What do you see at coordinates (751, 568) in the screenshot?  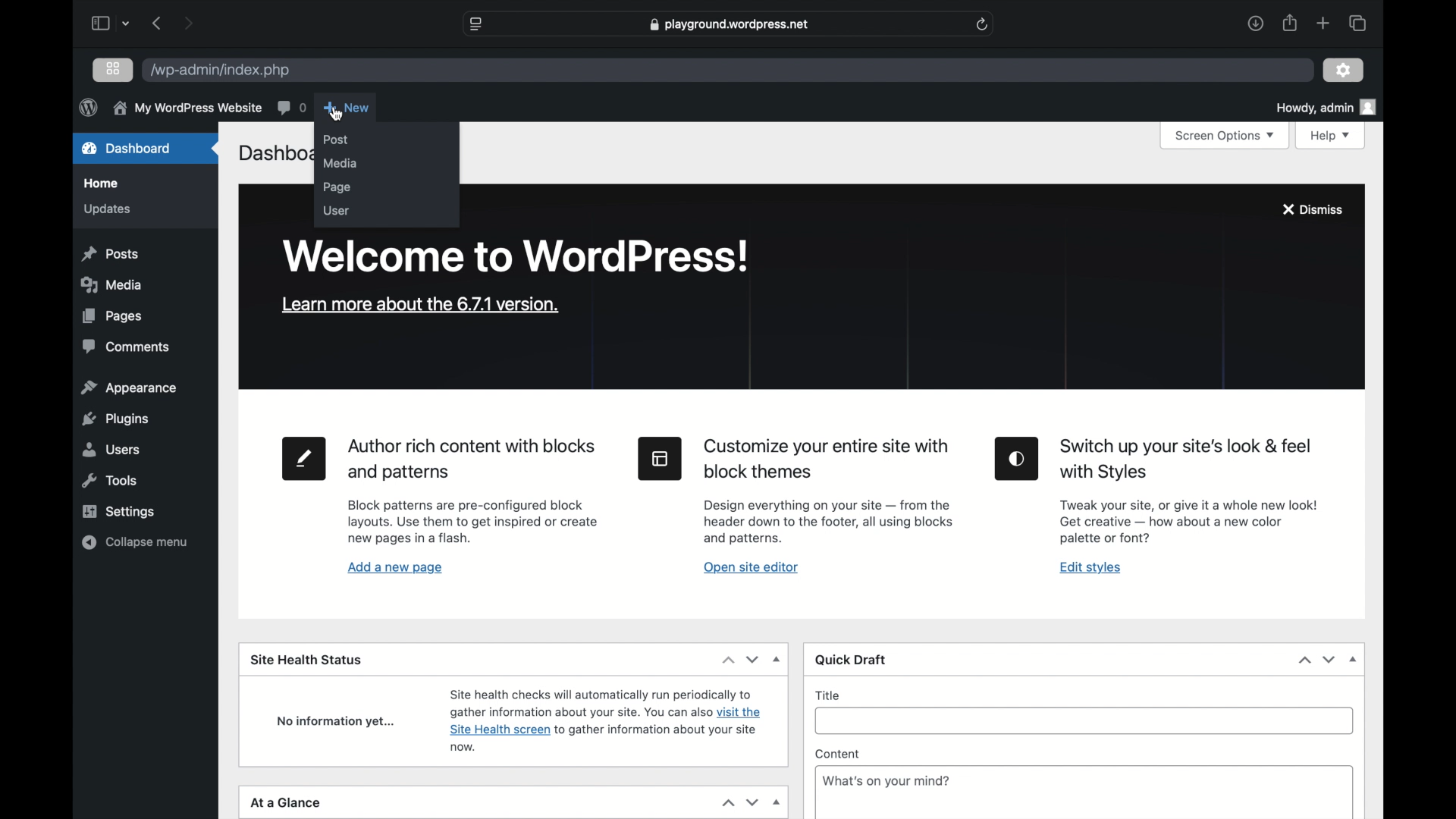 I see `open site editor` at bounding box center [751, 568].